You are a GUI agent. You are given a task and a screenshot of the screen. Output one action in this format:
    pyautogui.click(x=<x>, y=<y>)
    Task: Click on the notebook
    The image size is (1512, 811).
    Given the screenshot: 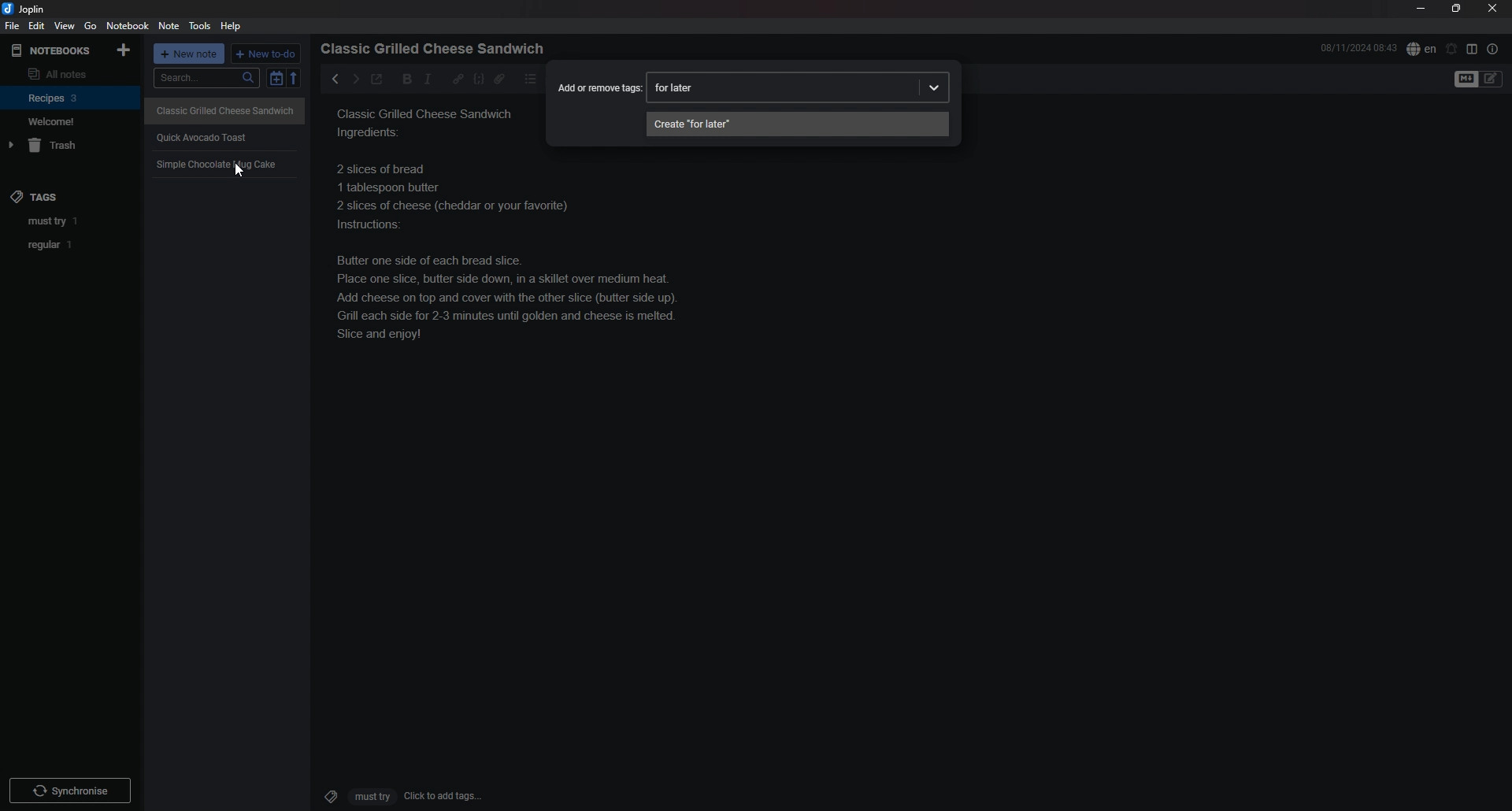 What is the action you would take?
    pyautogui.click(x=71, y=97)
    